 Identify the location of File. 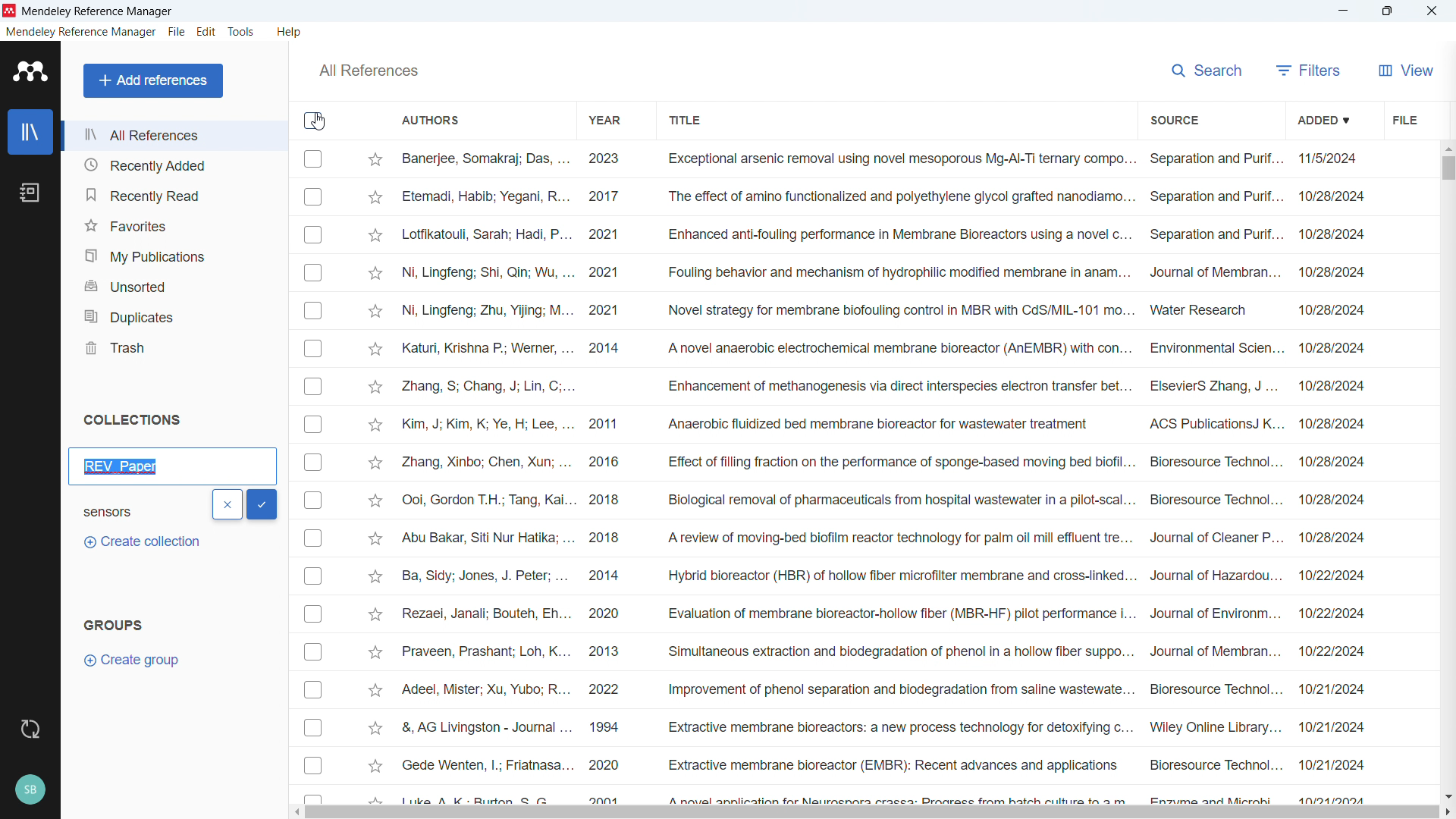
(1404, 118).